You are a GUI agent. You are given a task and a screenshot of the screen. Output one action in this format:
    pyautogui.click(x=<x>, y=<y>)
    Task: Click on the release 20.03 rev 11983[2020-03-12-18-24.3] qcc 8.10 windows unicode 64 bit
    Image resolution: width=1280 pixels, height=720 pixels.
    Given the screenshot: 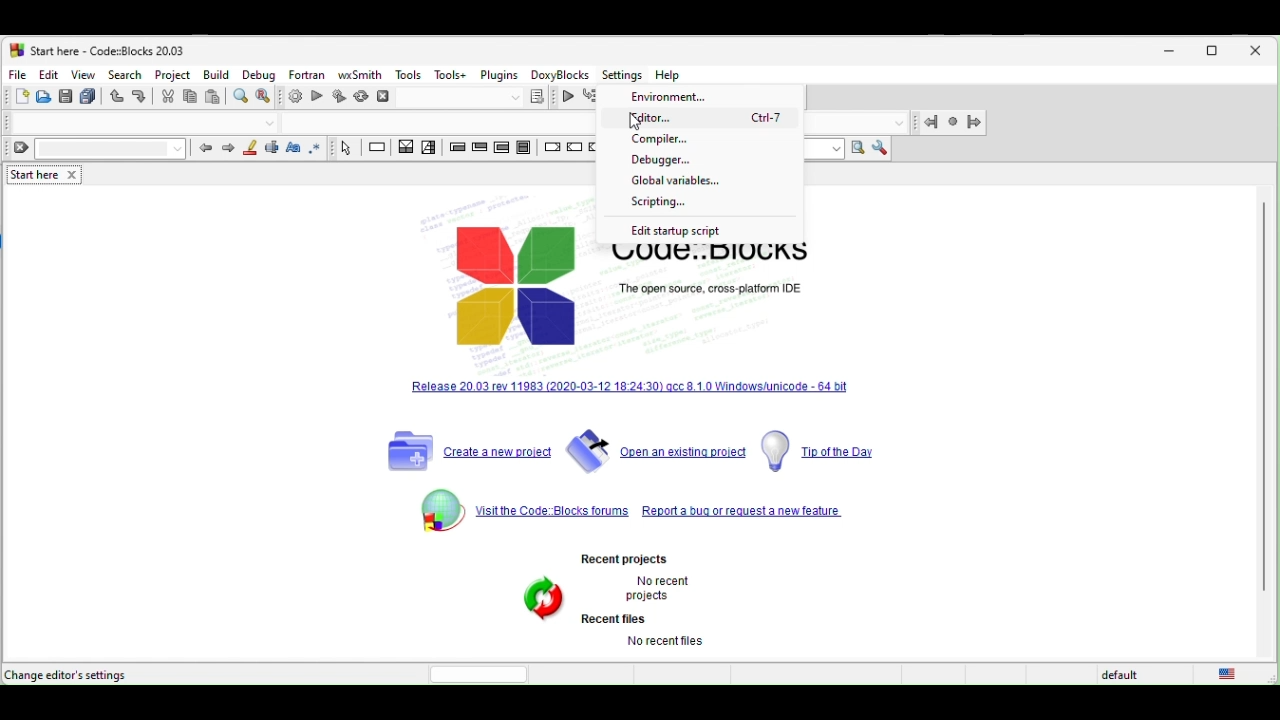 What is the action you would take?
    pyautogui.click(x=633, y=389)
    